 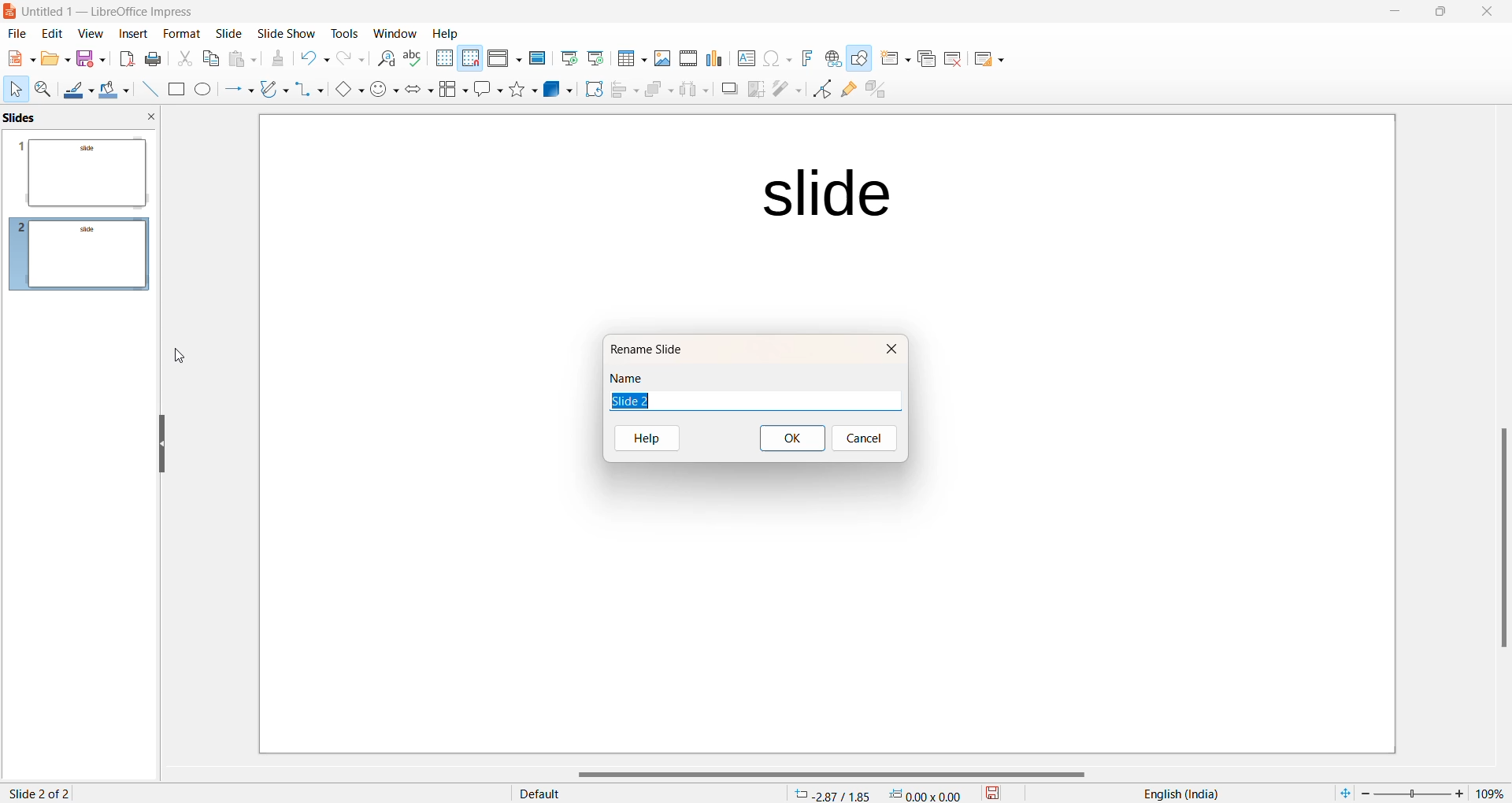 What do you see at coordinates (630, 58) in the screenshot?
I see `Insert table` at bounding box center [630, 58].